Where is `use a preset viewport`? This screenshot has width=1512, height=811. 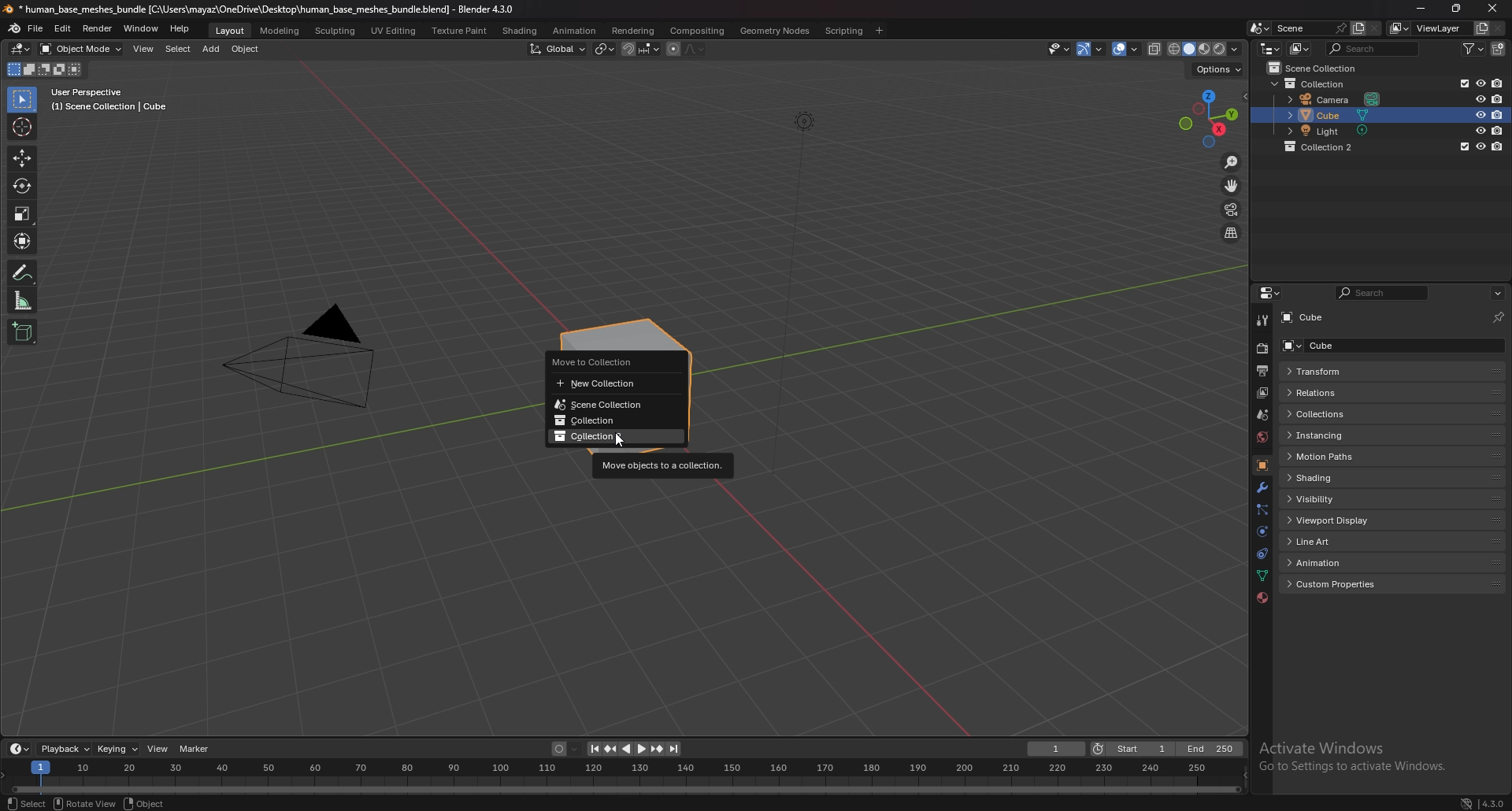
use a preset viewport is located at coordinates (1209, 117).